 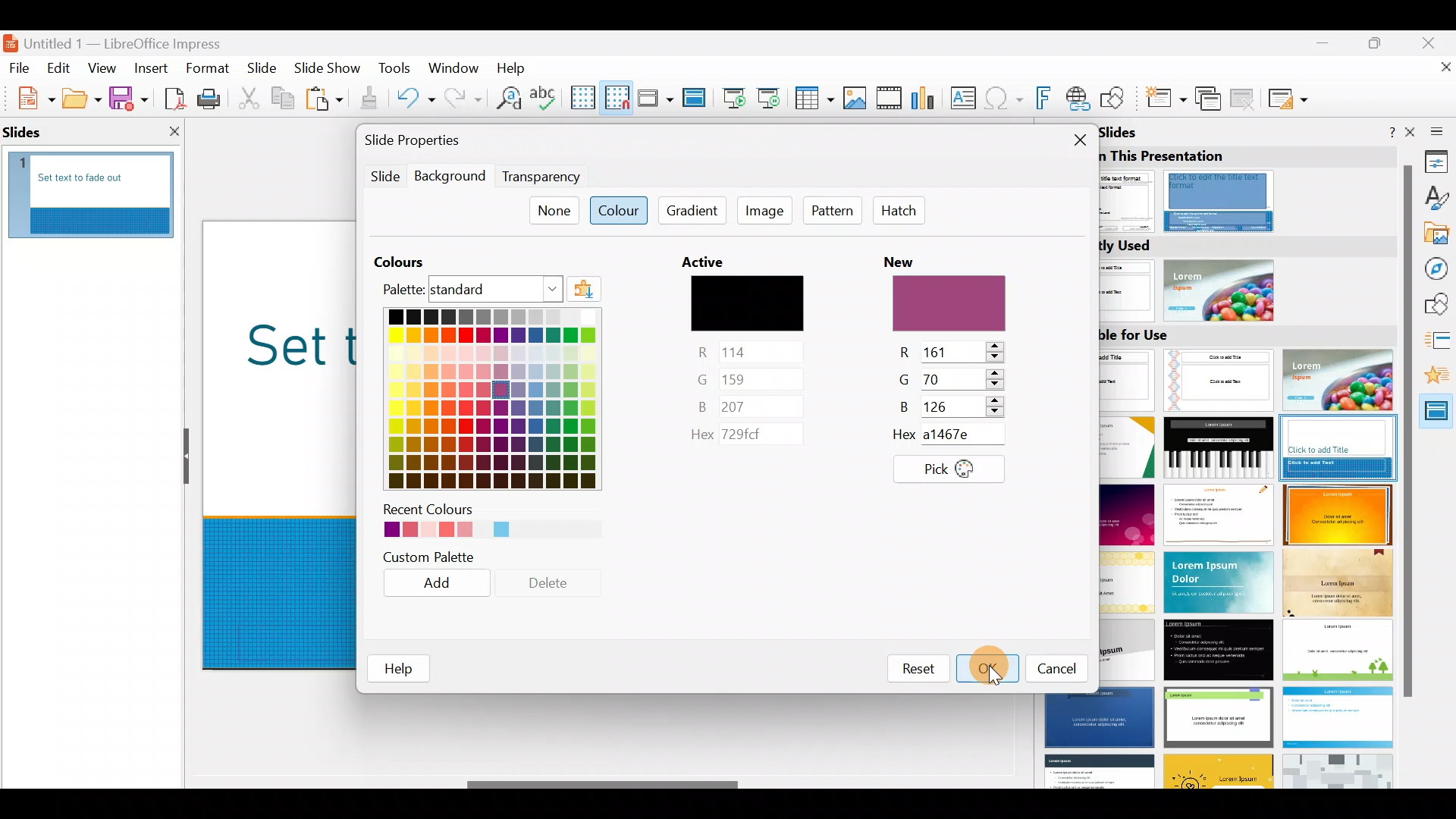 What do you see at coordinates (952, 379) in the screenshot?
I see `green` at bounding box center [952, 379].